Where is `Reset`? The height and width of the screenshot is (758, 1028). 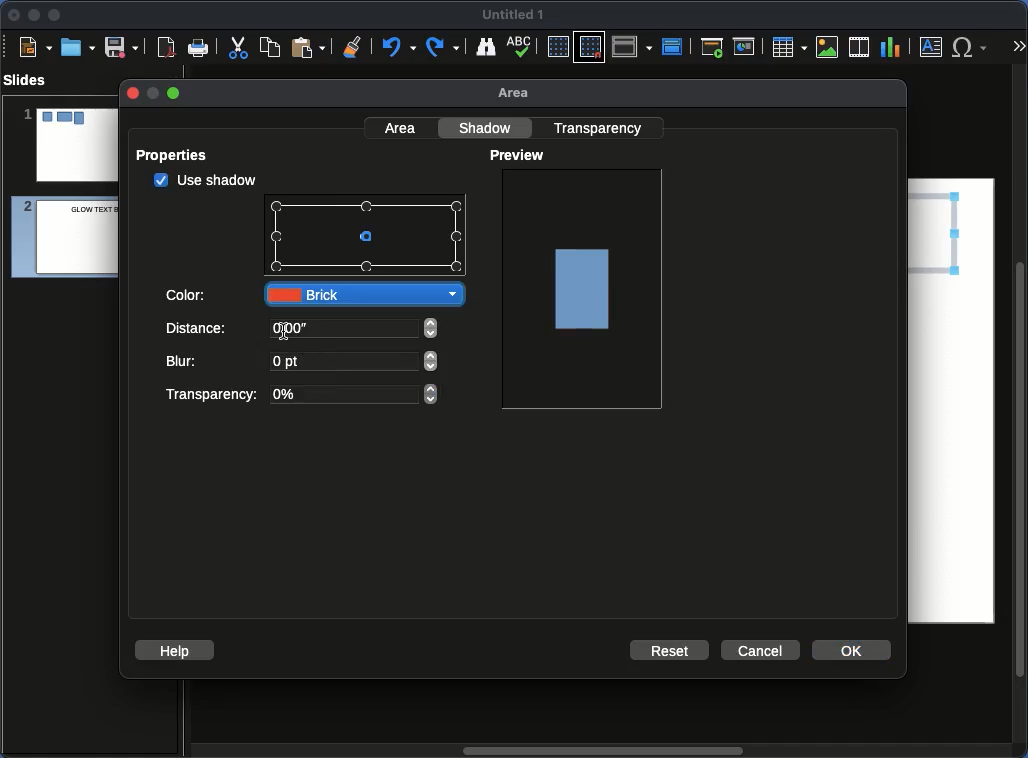
Reset is located at coordinates (671, 649).